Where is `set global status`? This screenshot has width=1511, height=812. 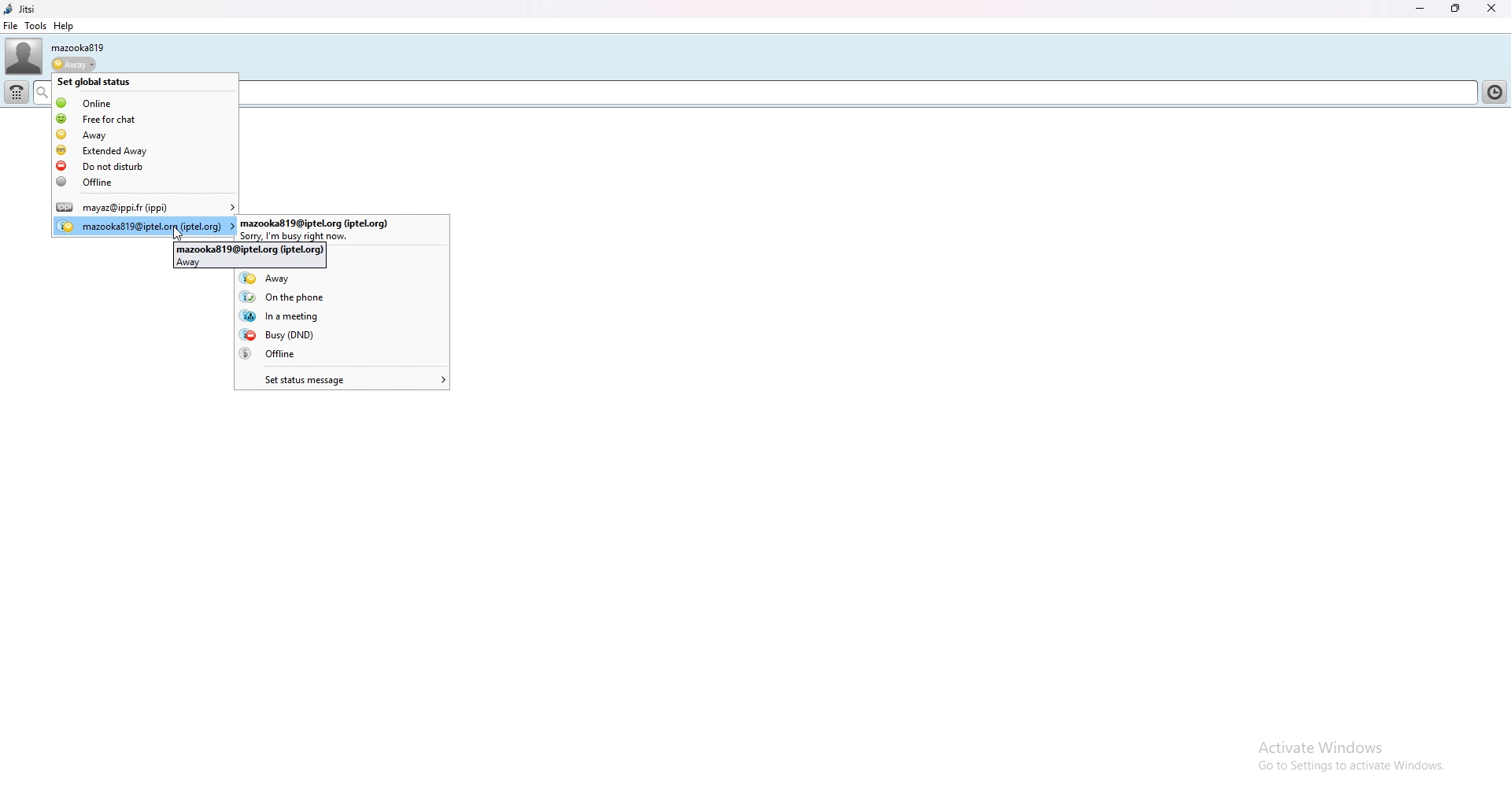 set global status is located at coordinates (145, 82).